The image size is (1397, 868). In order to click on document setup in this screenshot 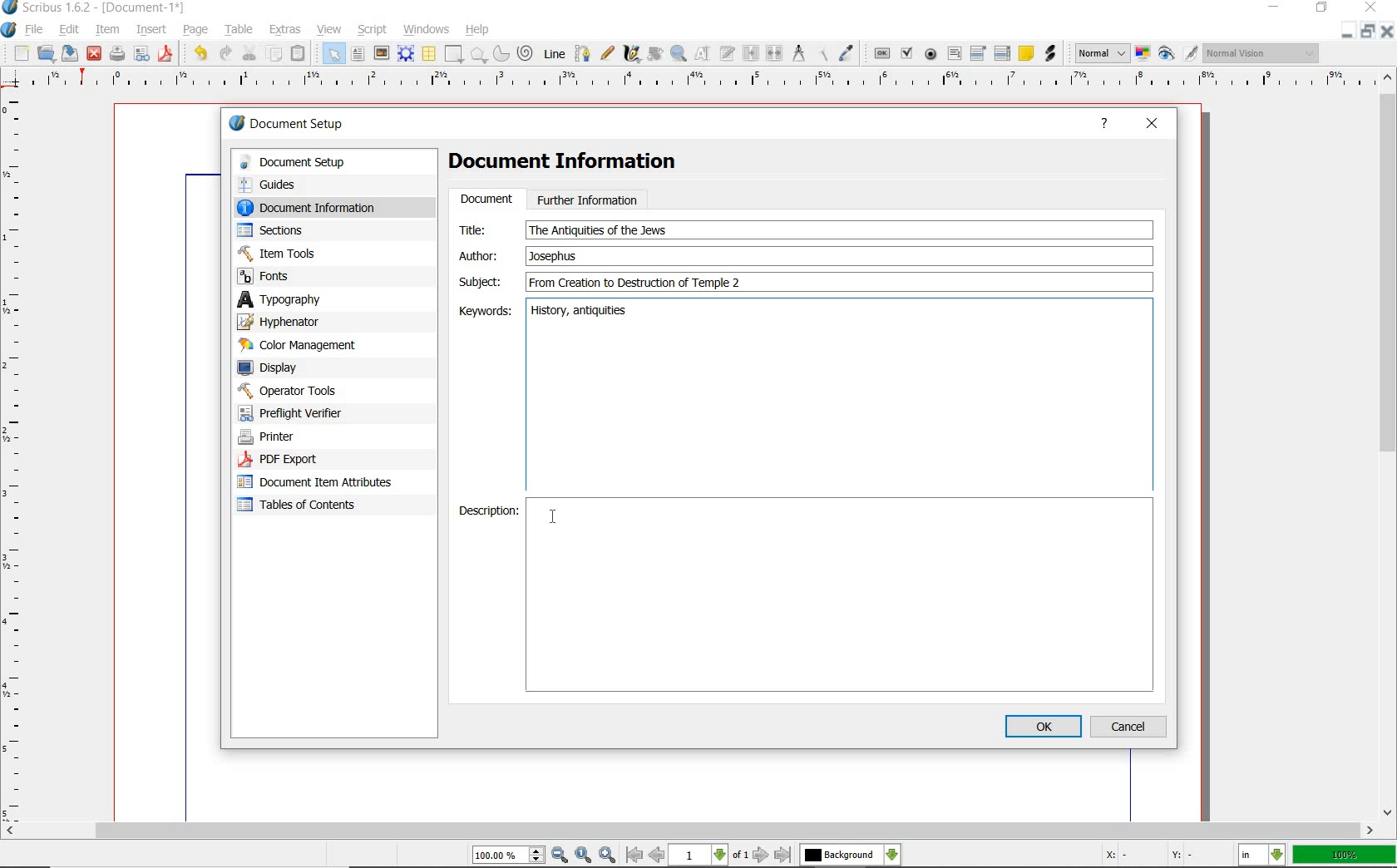, I will do `click(288, 123)`.